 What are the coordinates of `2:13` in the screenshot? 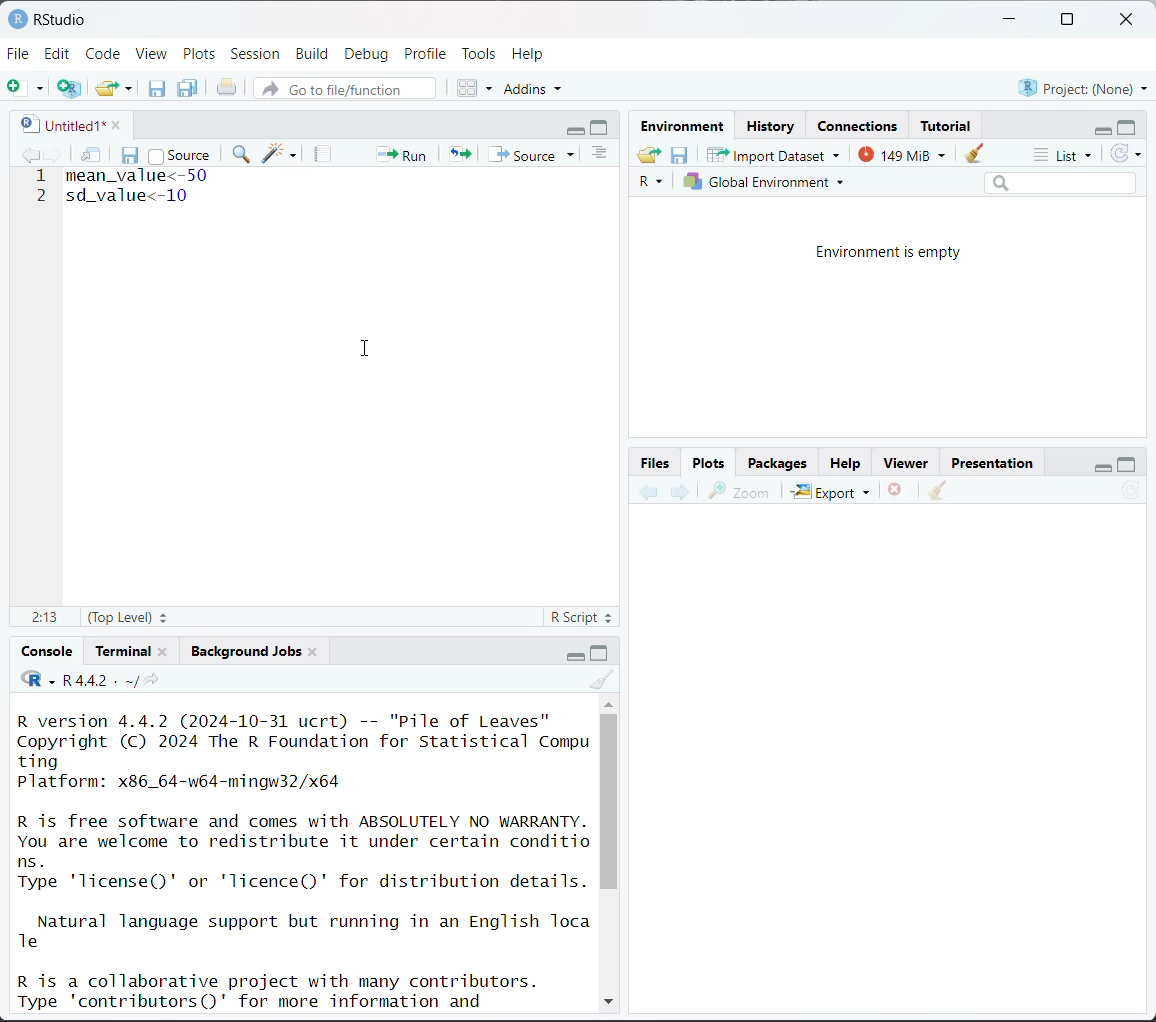 It's located at (43, 618).